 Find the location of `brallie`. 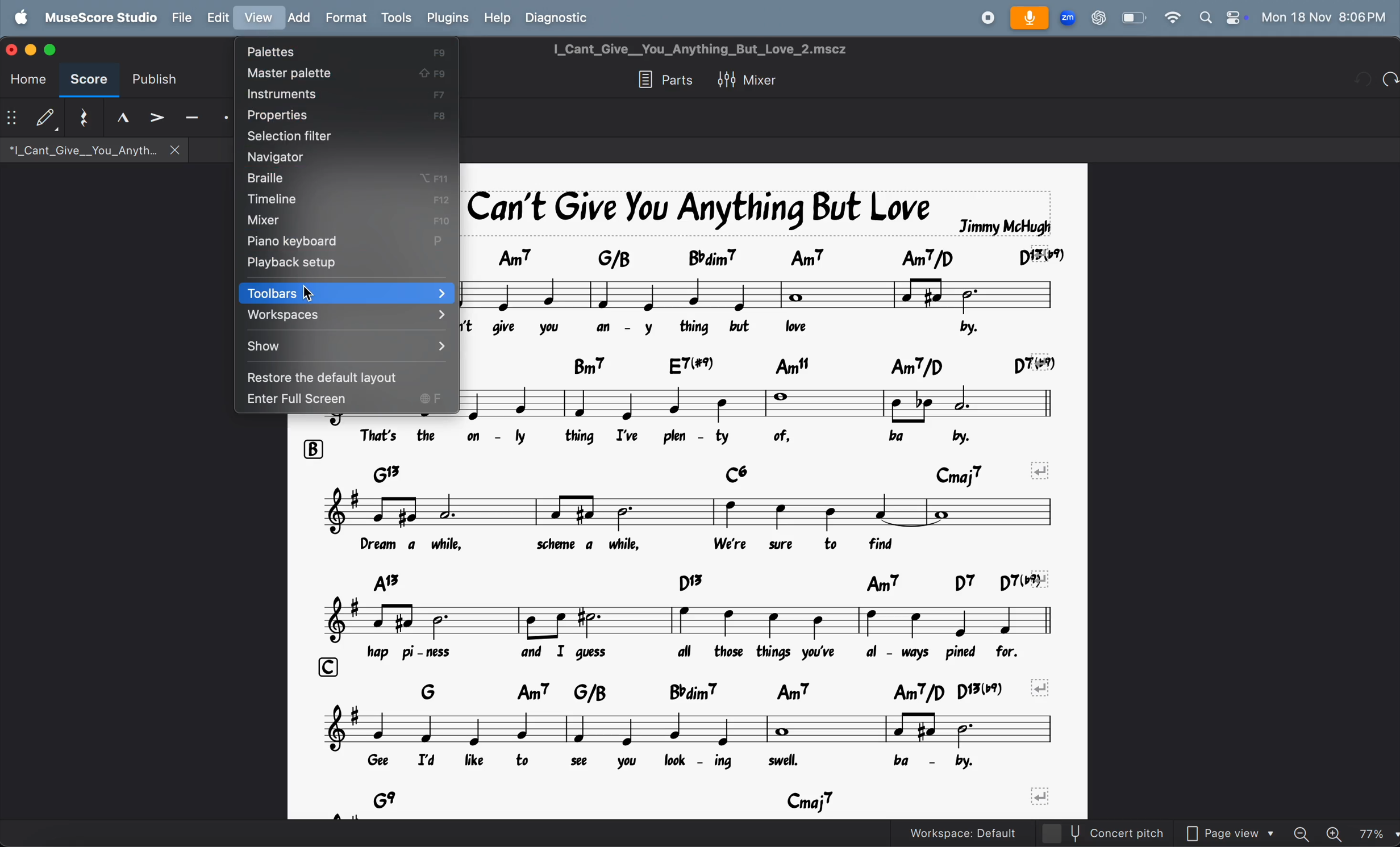

brallie is located at coordinates (340, 179).